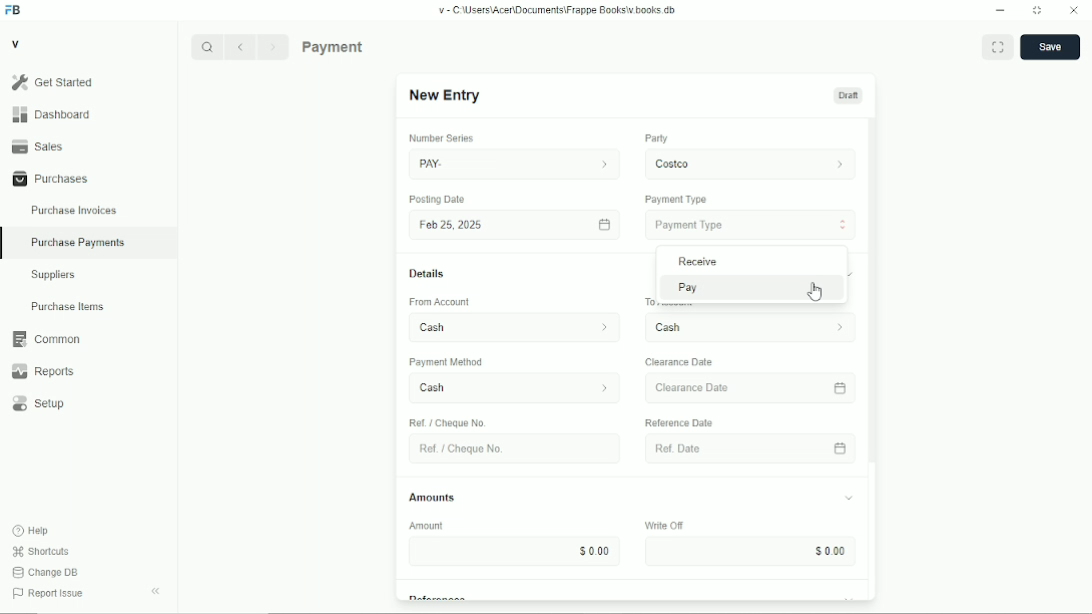 The width and height of the screenshot is (1092, 614). Describe the element at coordinates (751, 288) in the screenshot. I see `Pay` at that location.